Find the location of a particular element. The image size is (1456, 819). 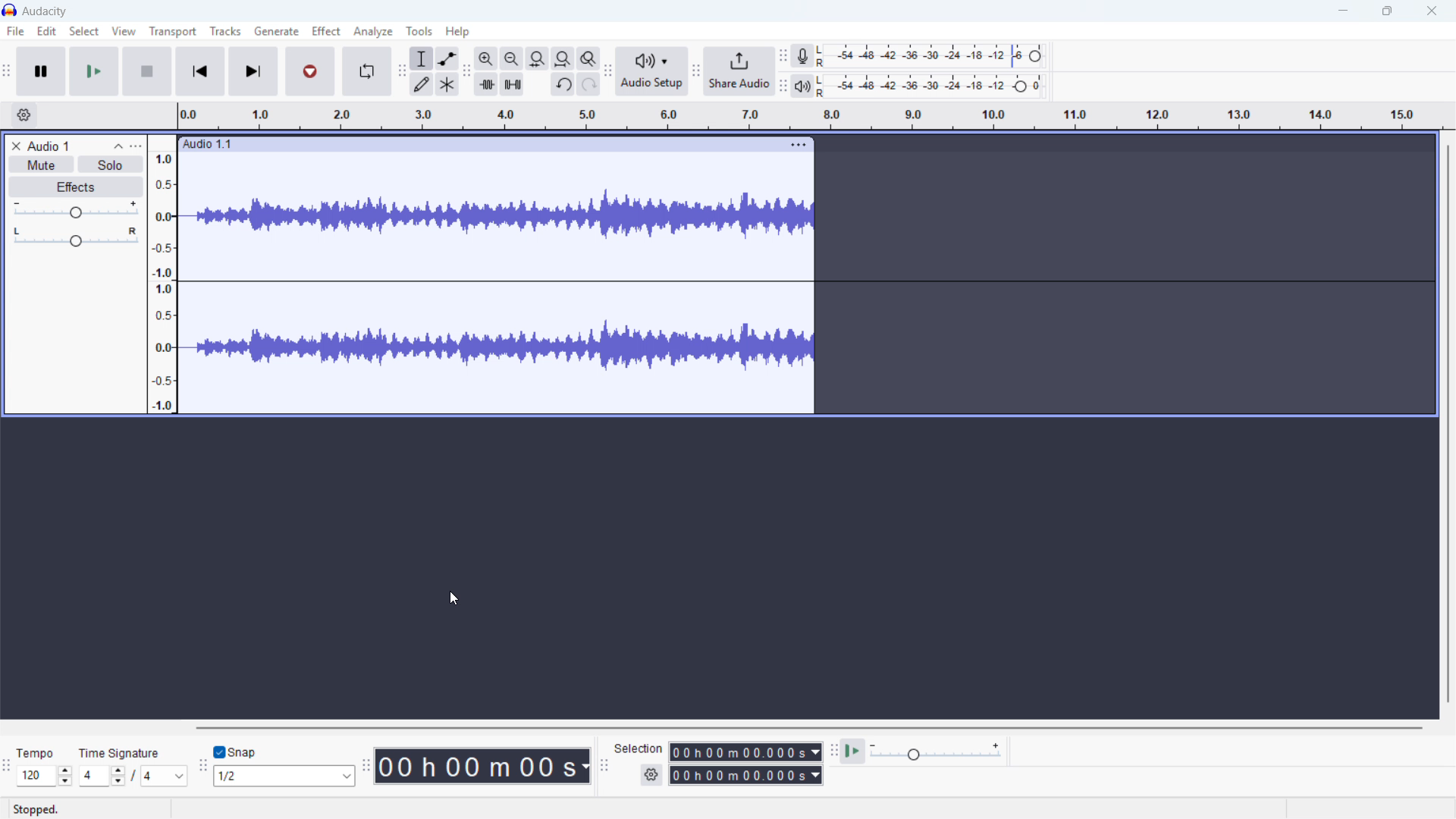

Play at speed is located at coordinates (852, 751).